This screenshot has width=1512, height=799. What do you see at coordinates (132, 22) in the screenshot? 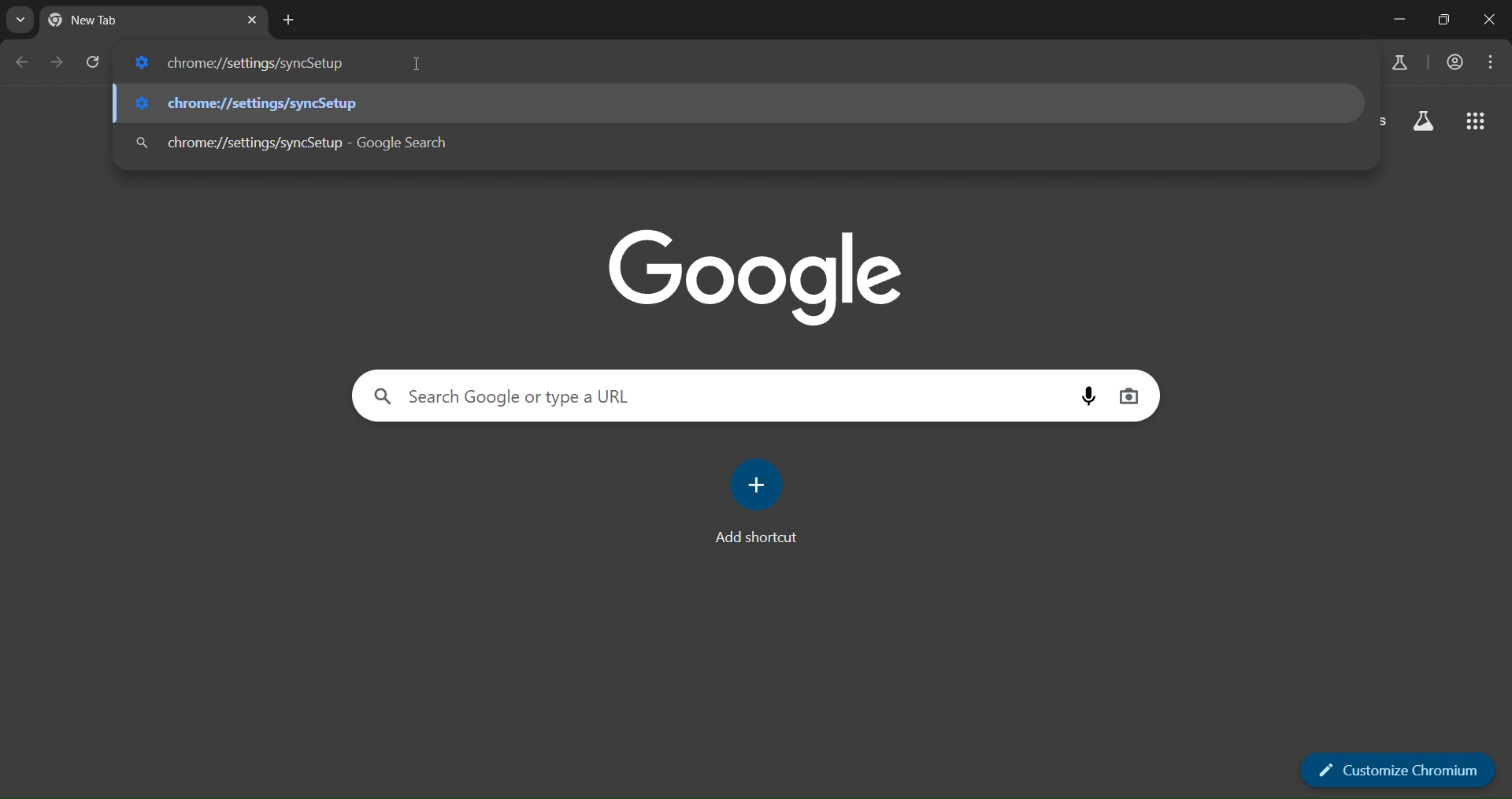
I see `current tab` at bounding box center [132, 22].